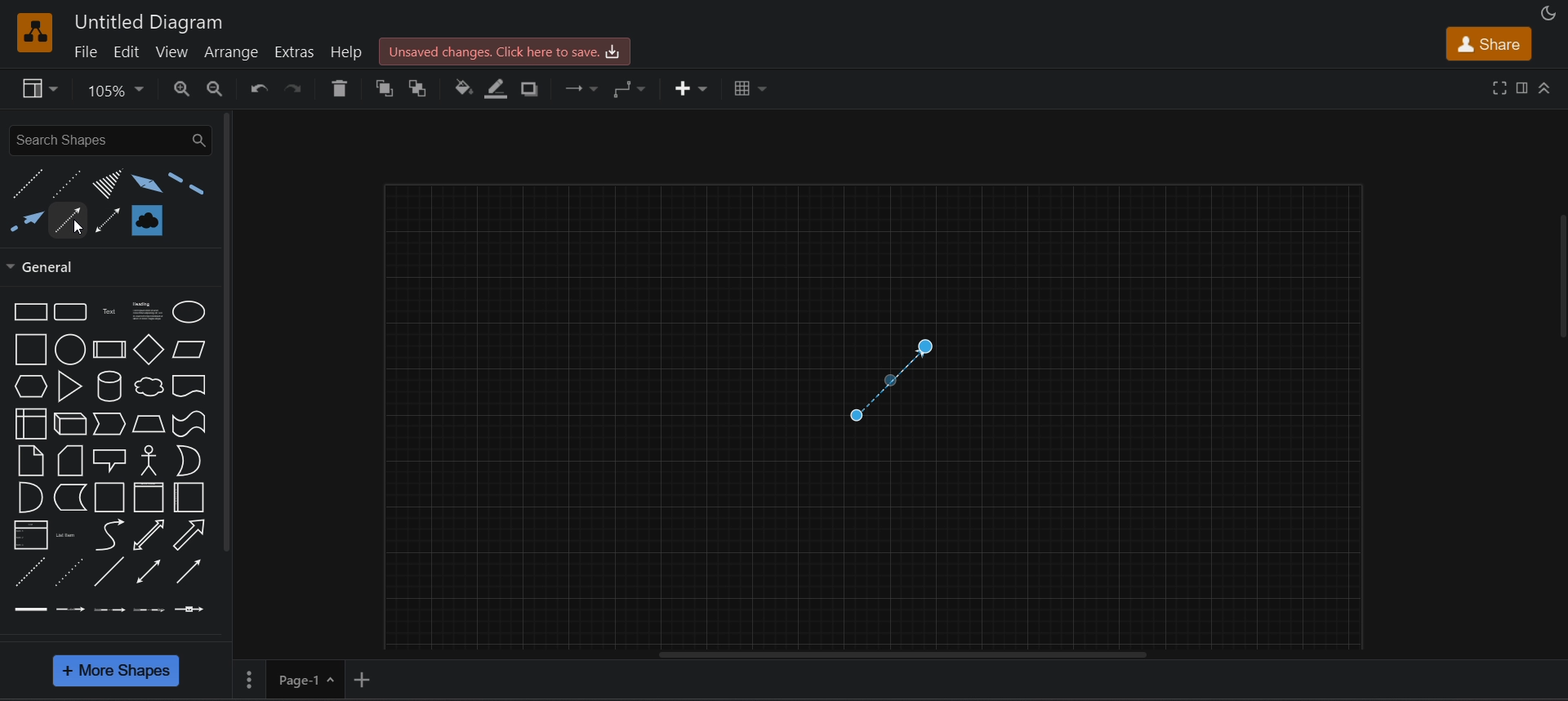 The width and height of the screenshot is (1568, 701). Describe the element at coordinates (1486, 42) in the screenshot. I see `share` at that location.